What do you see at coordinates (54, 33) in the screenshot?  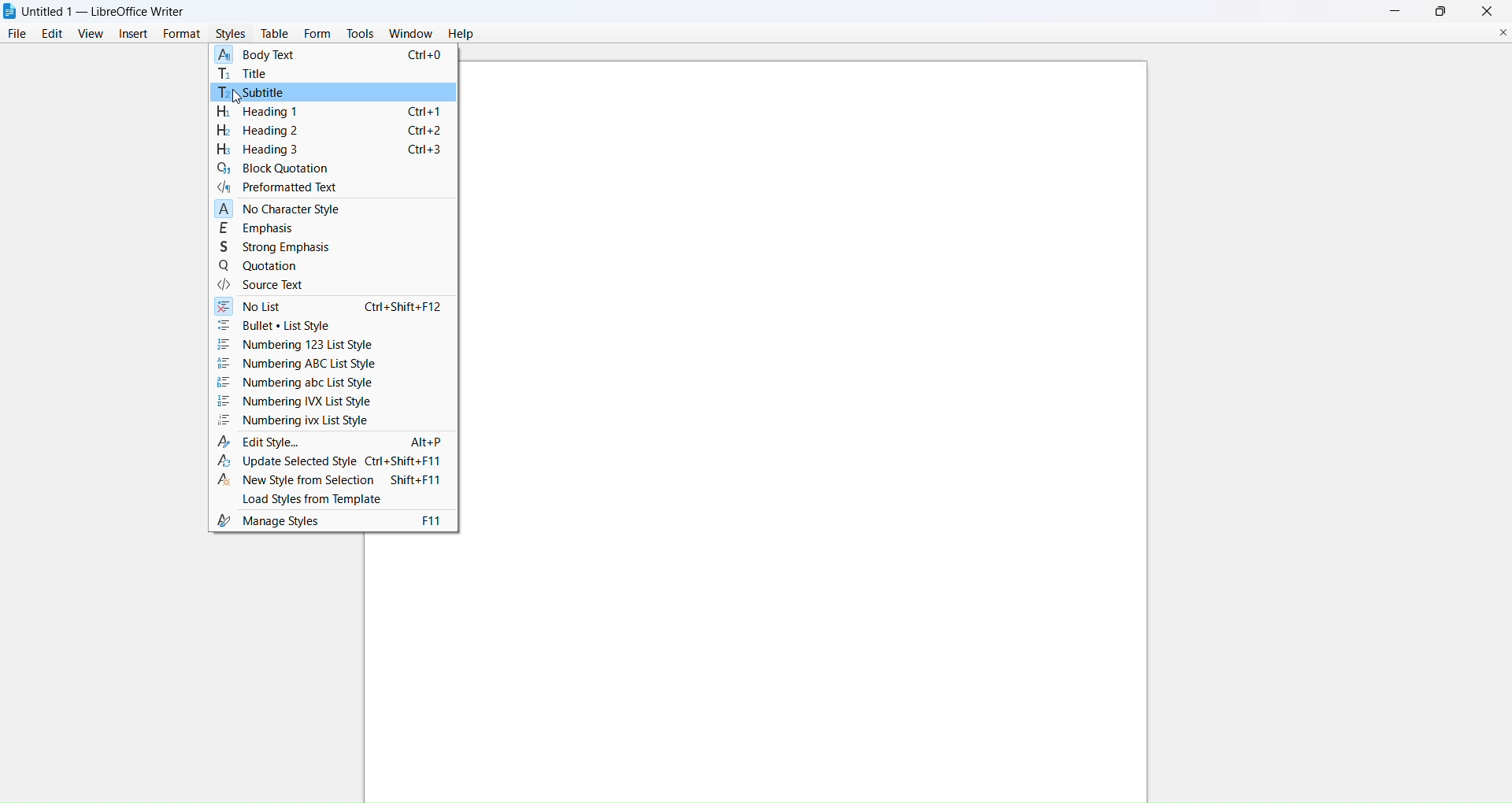 I see `edit` at bounding box center [54, 33].